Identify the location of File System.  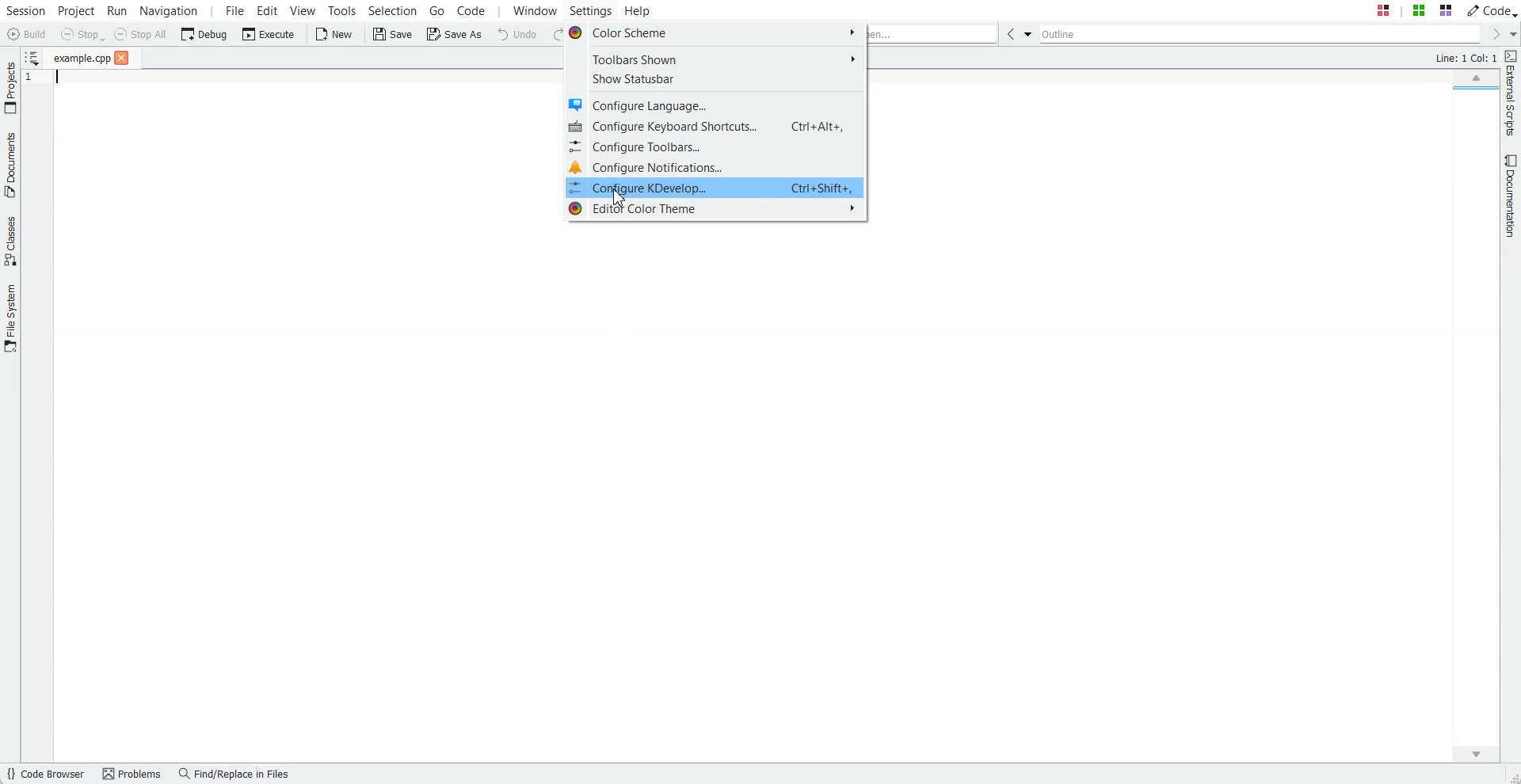
(10, 318).